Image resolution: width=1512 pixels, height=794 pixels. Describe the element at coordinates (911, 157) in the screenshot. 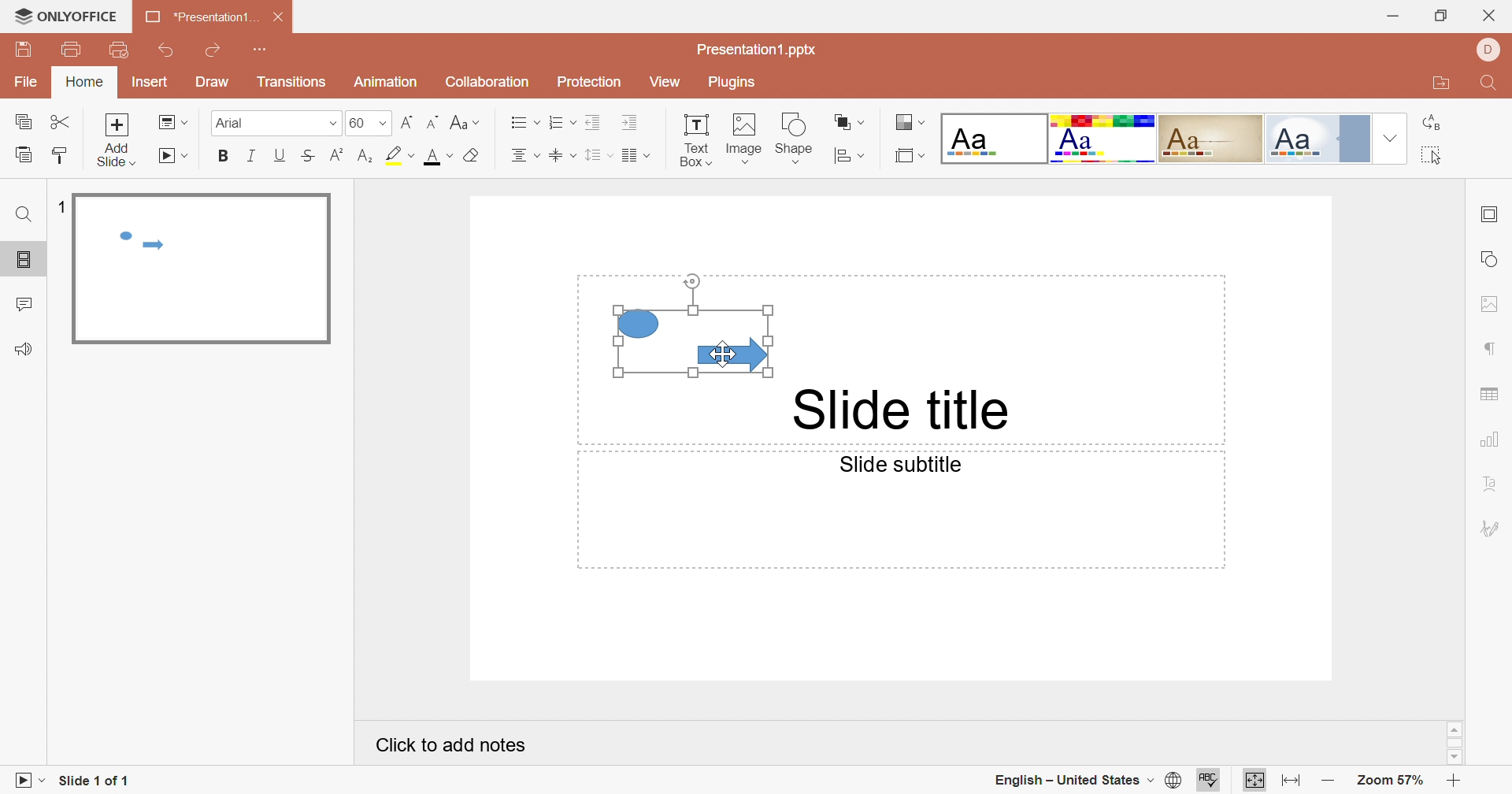

I see `Select slide size` at that location.